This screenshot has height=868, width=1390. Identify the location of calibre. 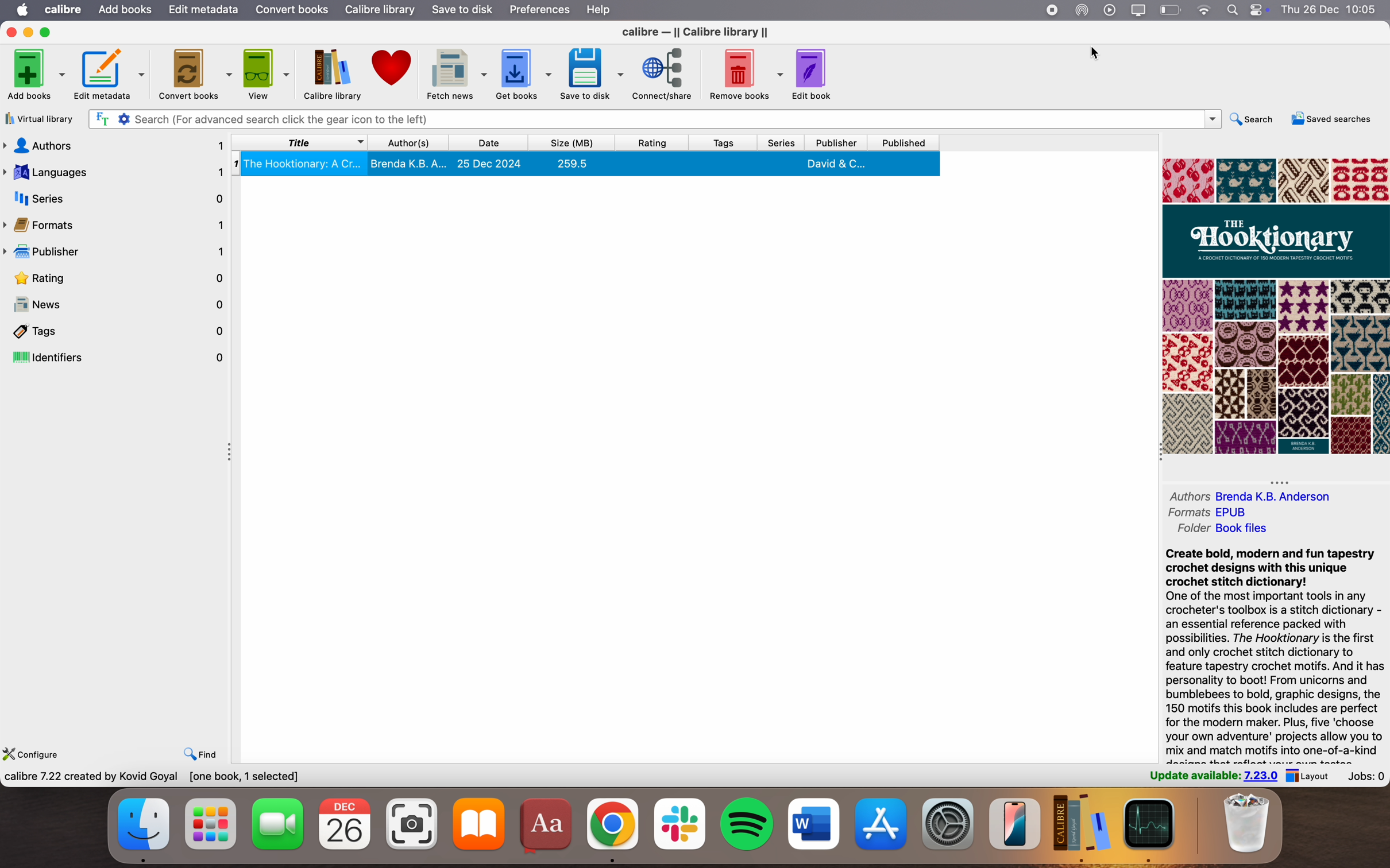
(65, 9).